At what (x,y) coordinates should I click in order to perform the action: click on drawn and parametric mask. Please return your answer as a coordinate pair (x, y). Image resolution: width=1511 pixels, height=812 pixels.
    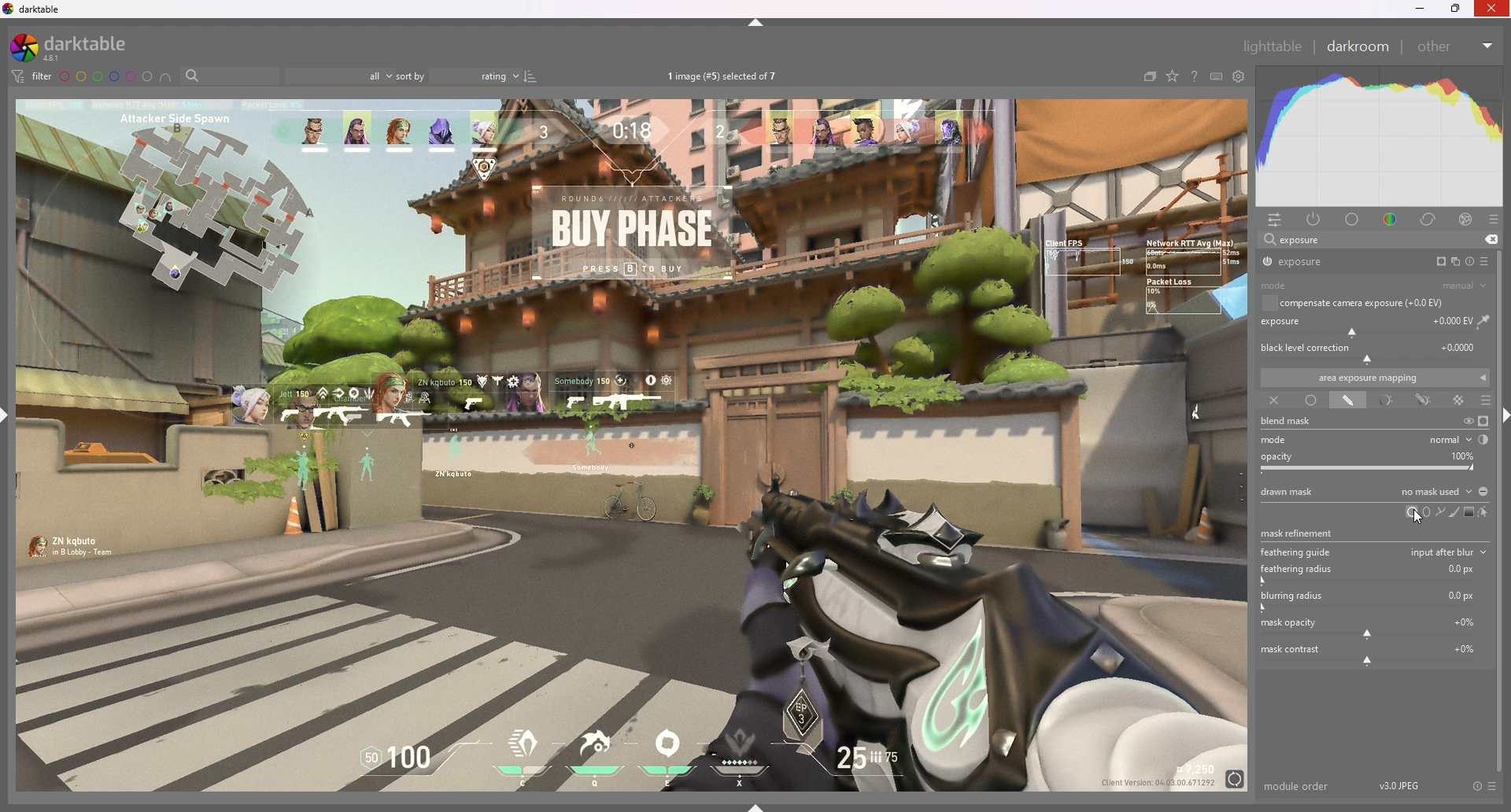
    Looking at the image, I should click on (1426, 400).